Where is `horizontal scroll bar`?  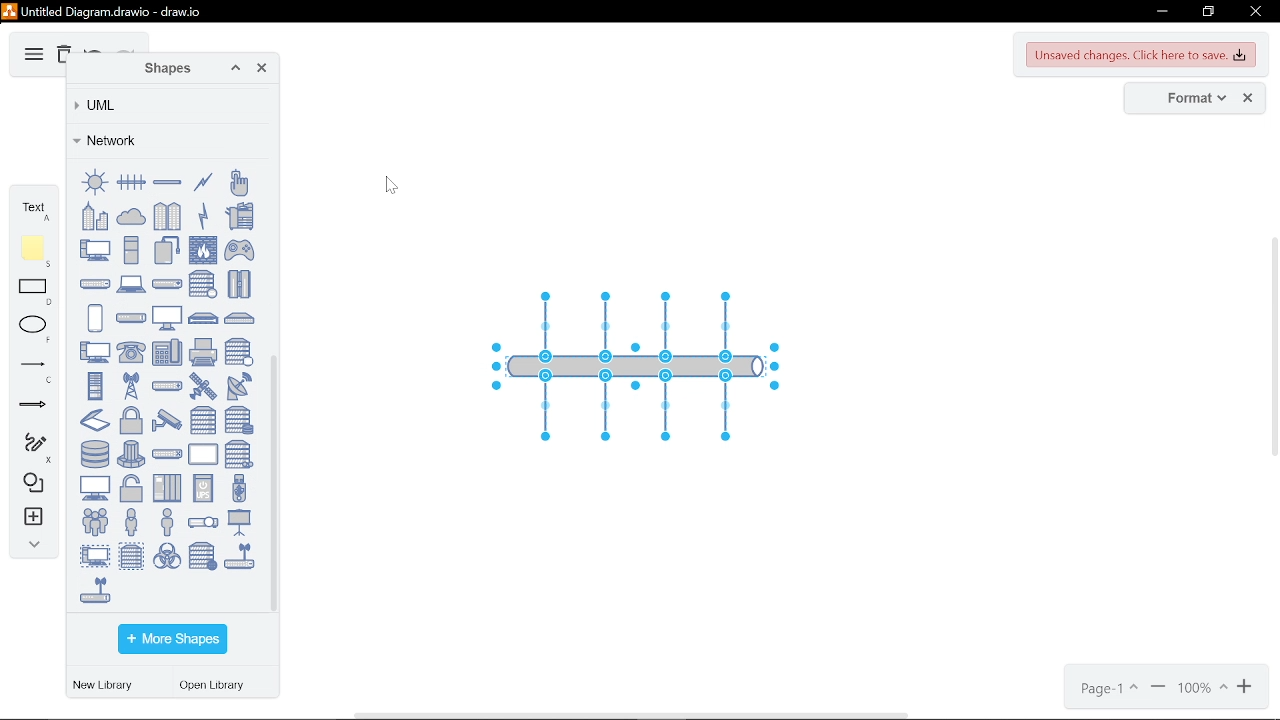
horizontal scroll bar is located at coordinates (634, 714).